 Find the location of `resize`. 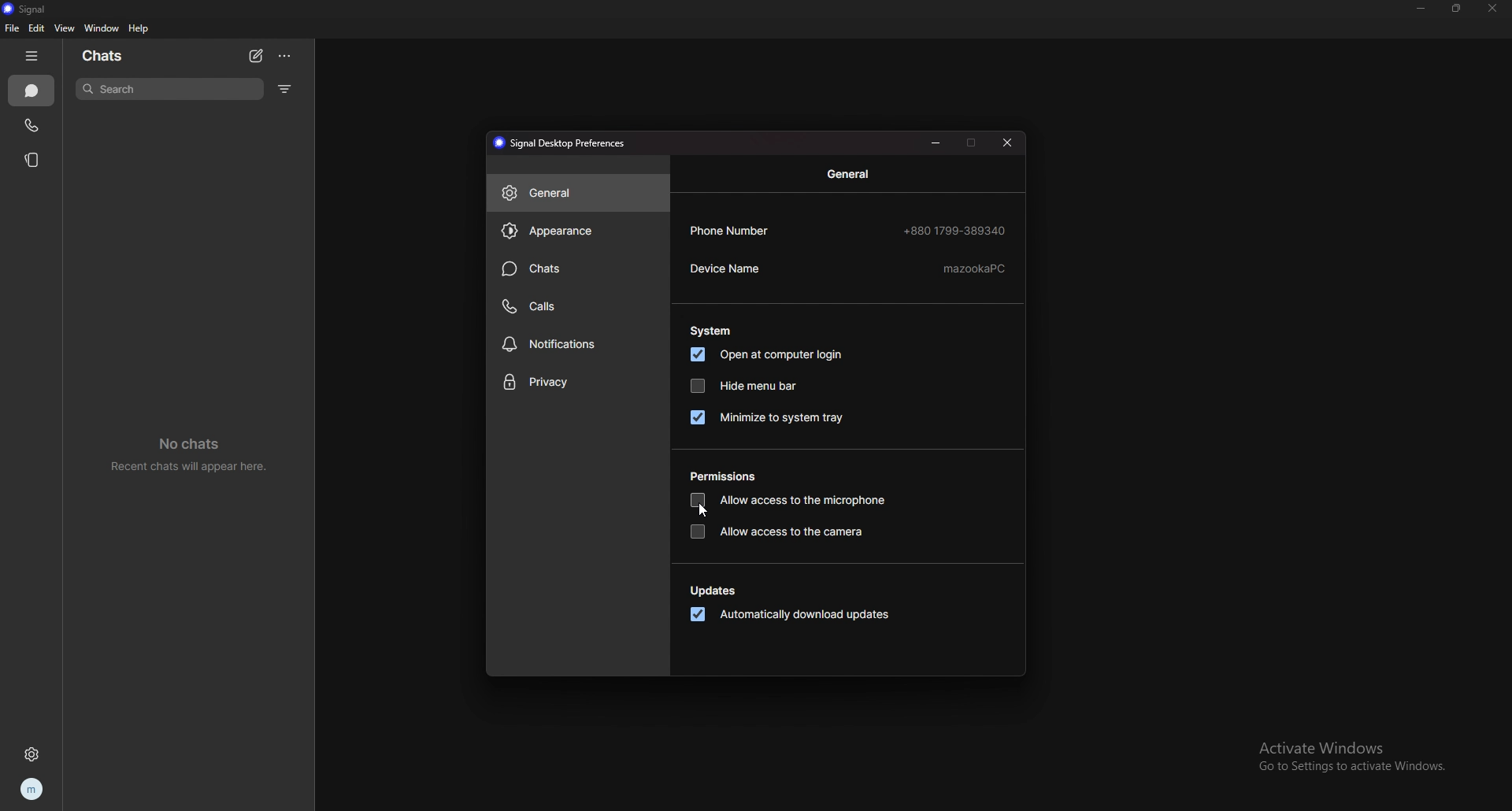

resize is located at coordinates (1457, 8).